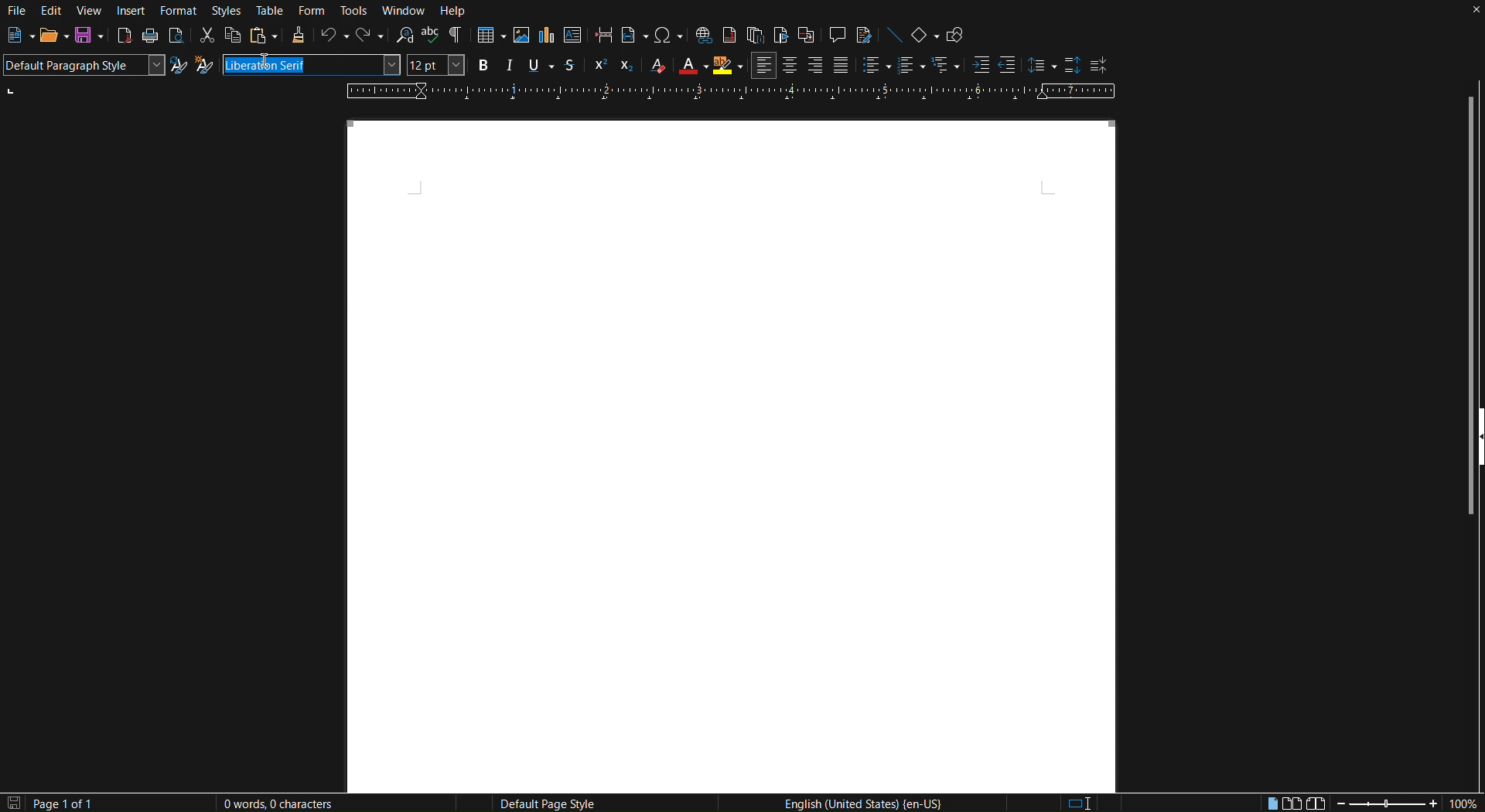  What do you see at coordinates (660, 65) in the screenshot?
I see `Clear Formatting` at bounding box center [660, 65].